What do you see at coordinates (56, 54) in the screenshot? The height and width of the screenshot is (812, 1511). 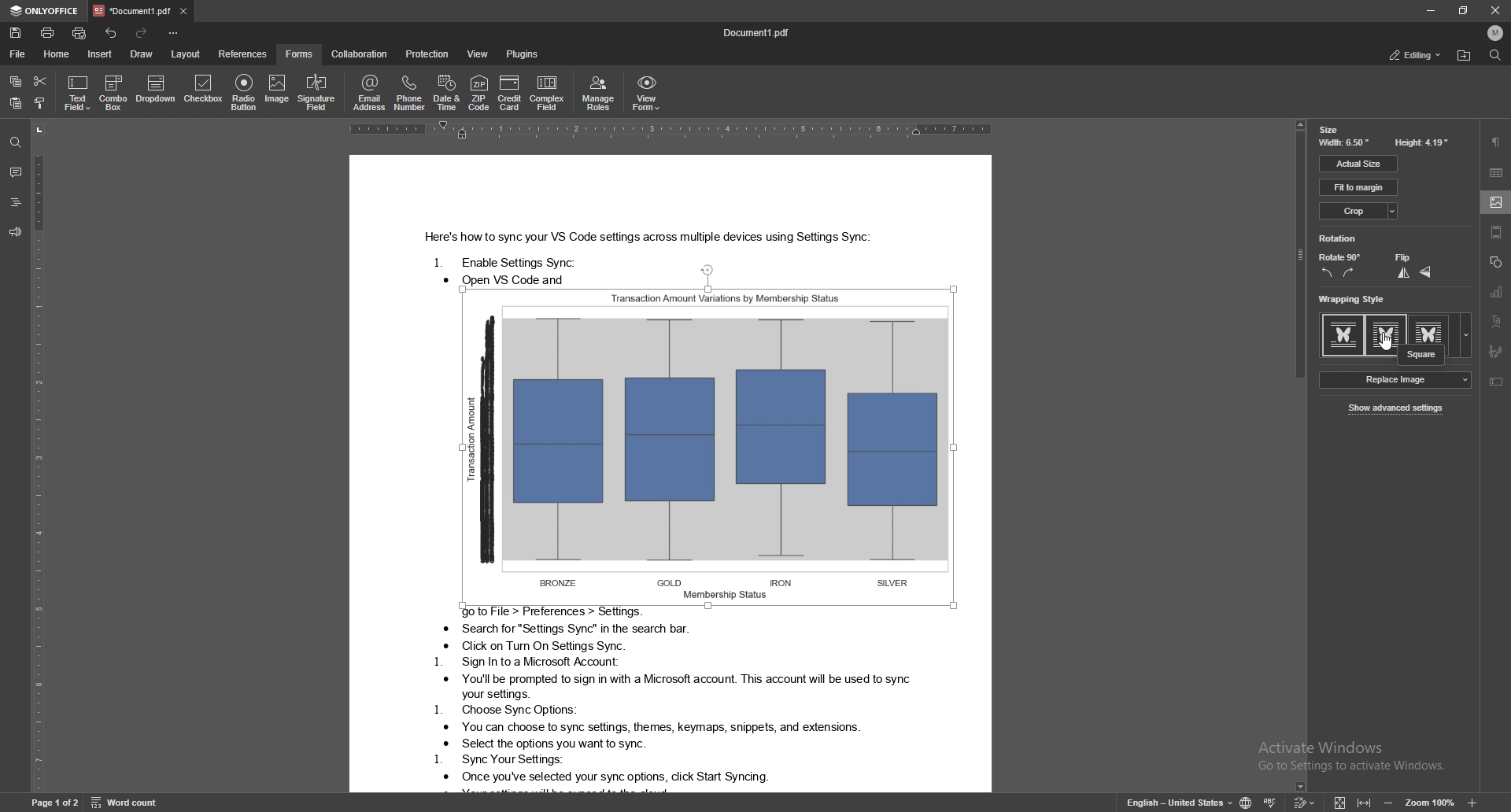 I see `home` at bounding box center [56, 54].